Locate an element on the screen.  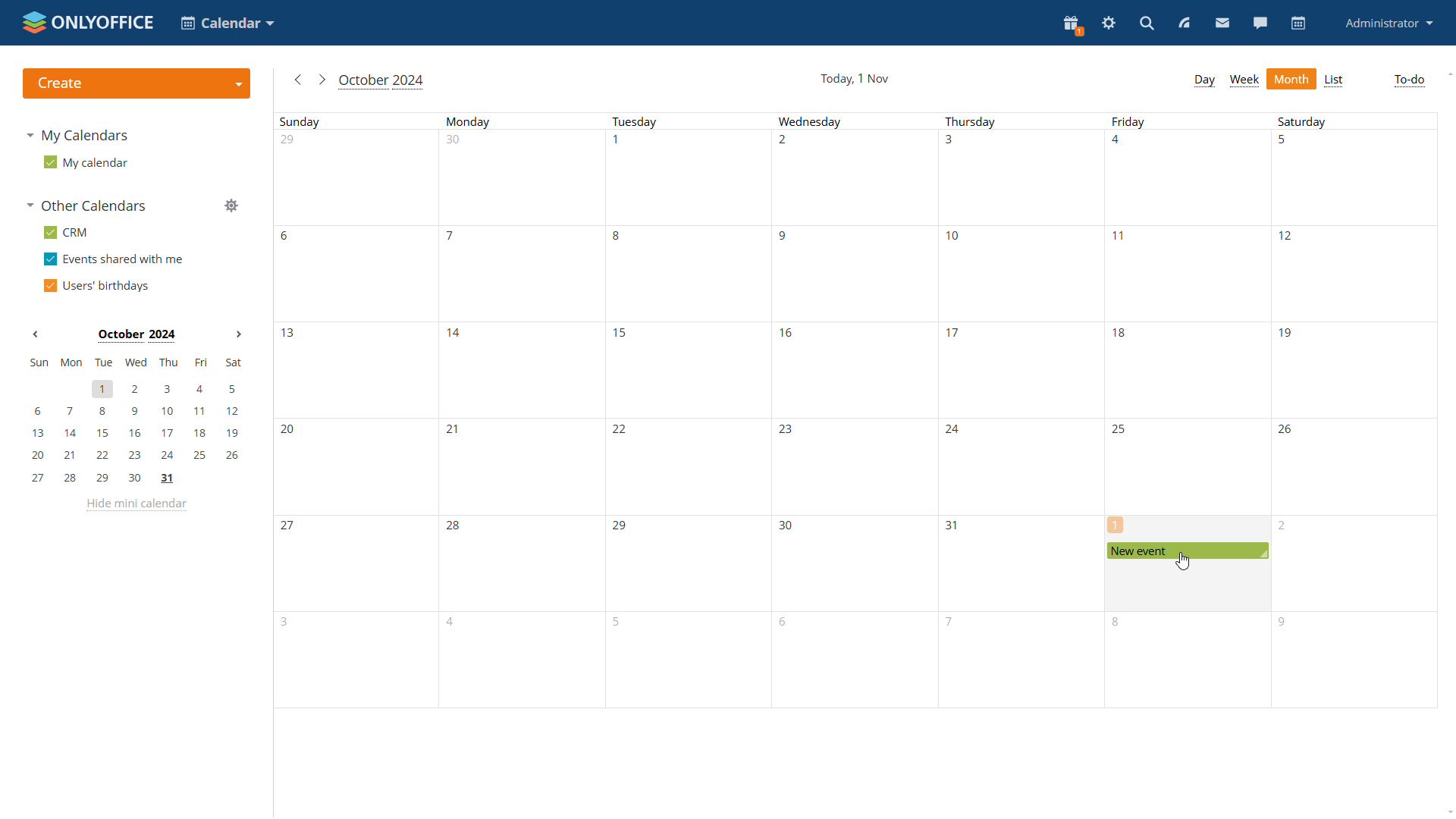
go to next month is located at coordinates (322, 80).